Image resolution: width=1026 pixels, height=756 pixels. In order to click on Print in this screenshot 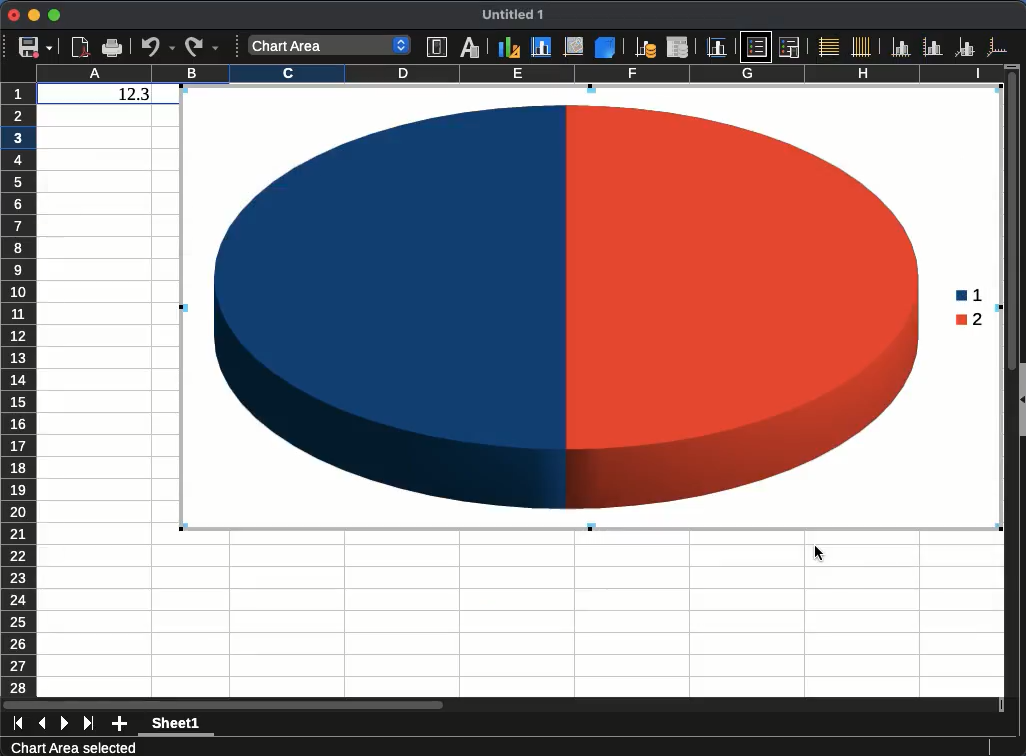, I will do `click(112, 48)`.